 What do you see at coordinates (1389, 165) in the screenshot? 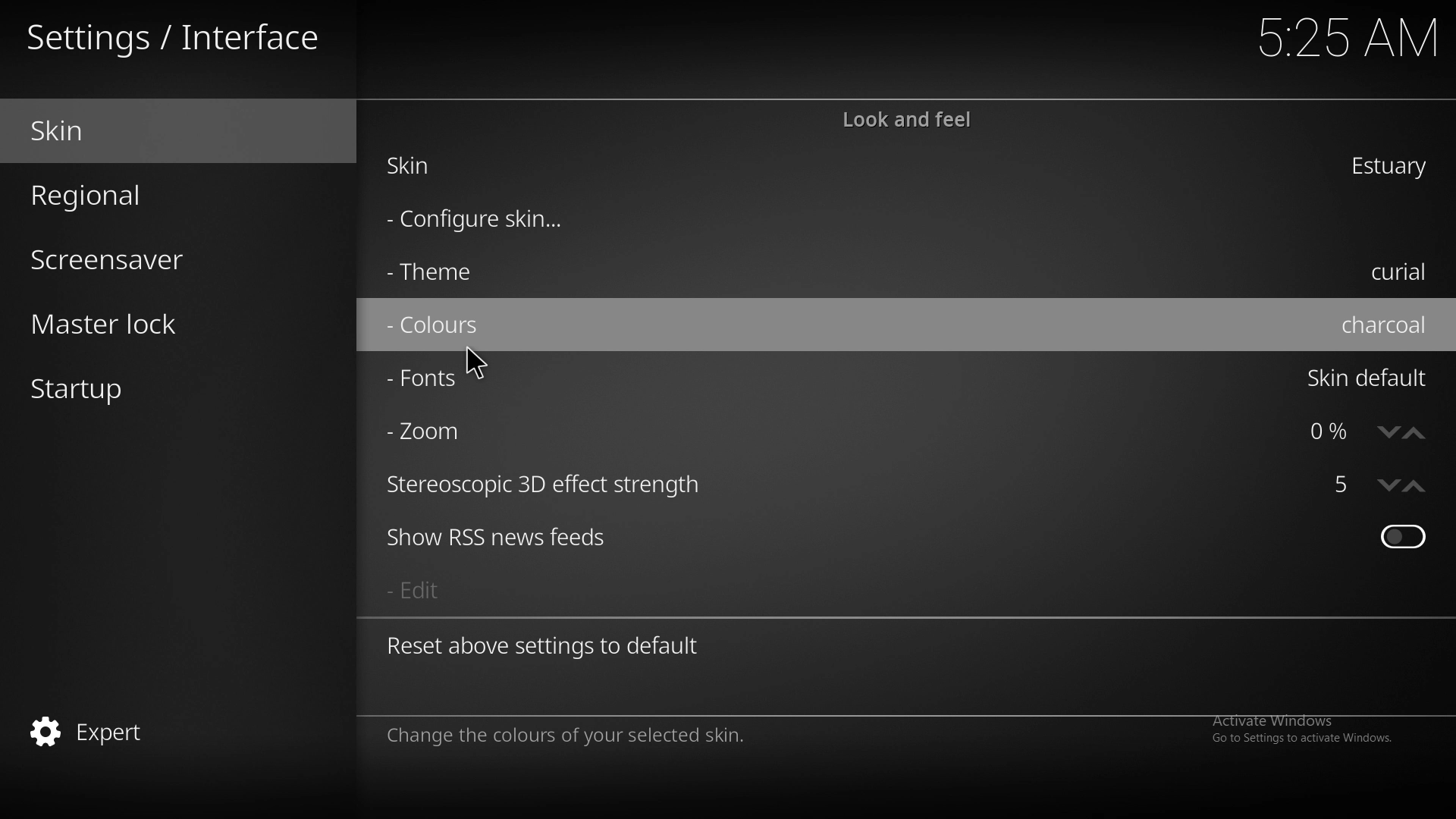
I see `estuary` at bounding box center [1389, 165].